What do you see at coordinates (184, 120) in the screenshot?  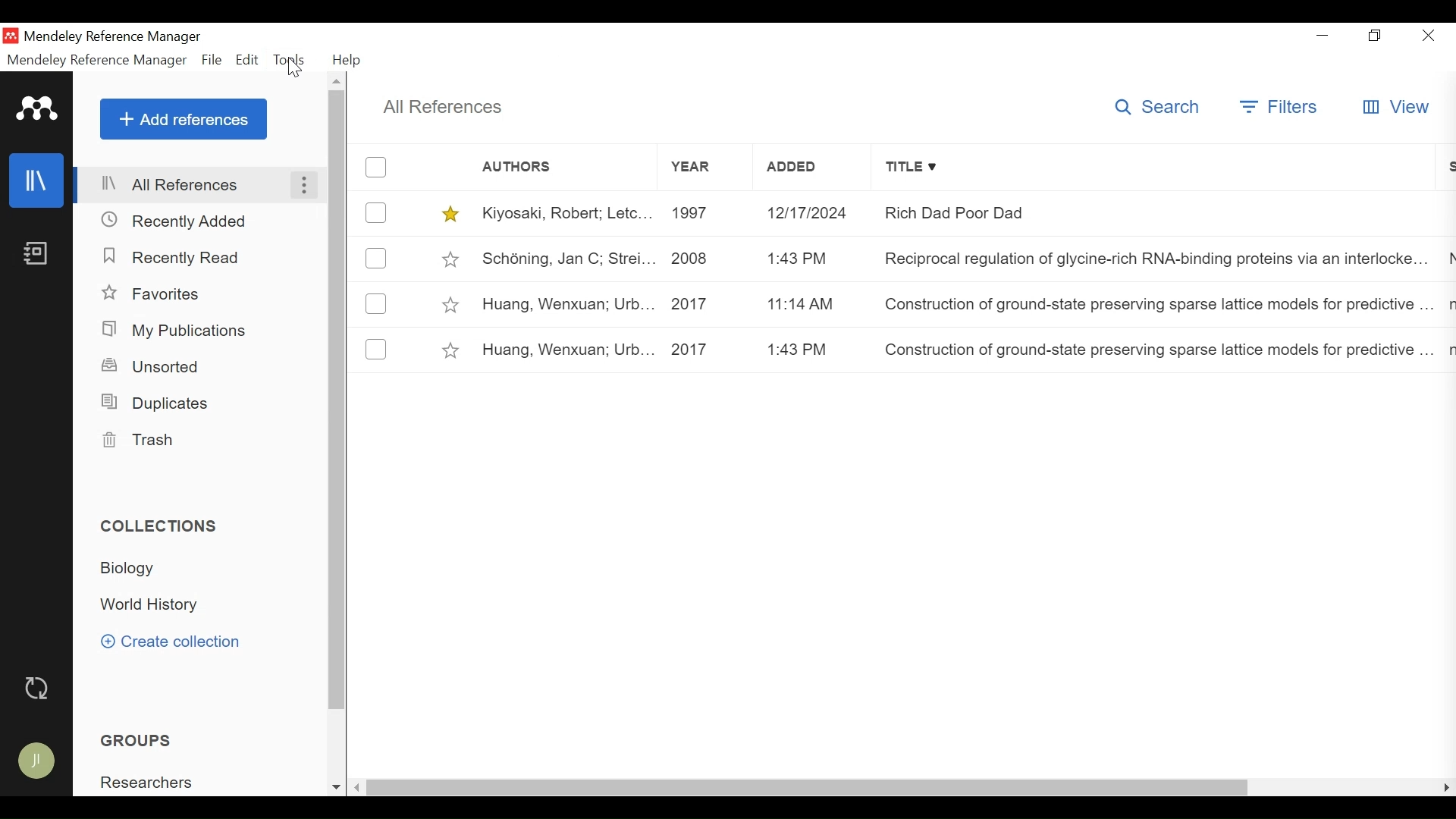 I see `Add References` at bounding box center [184, 120].